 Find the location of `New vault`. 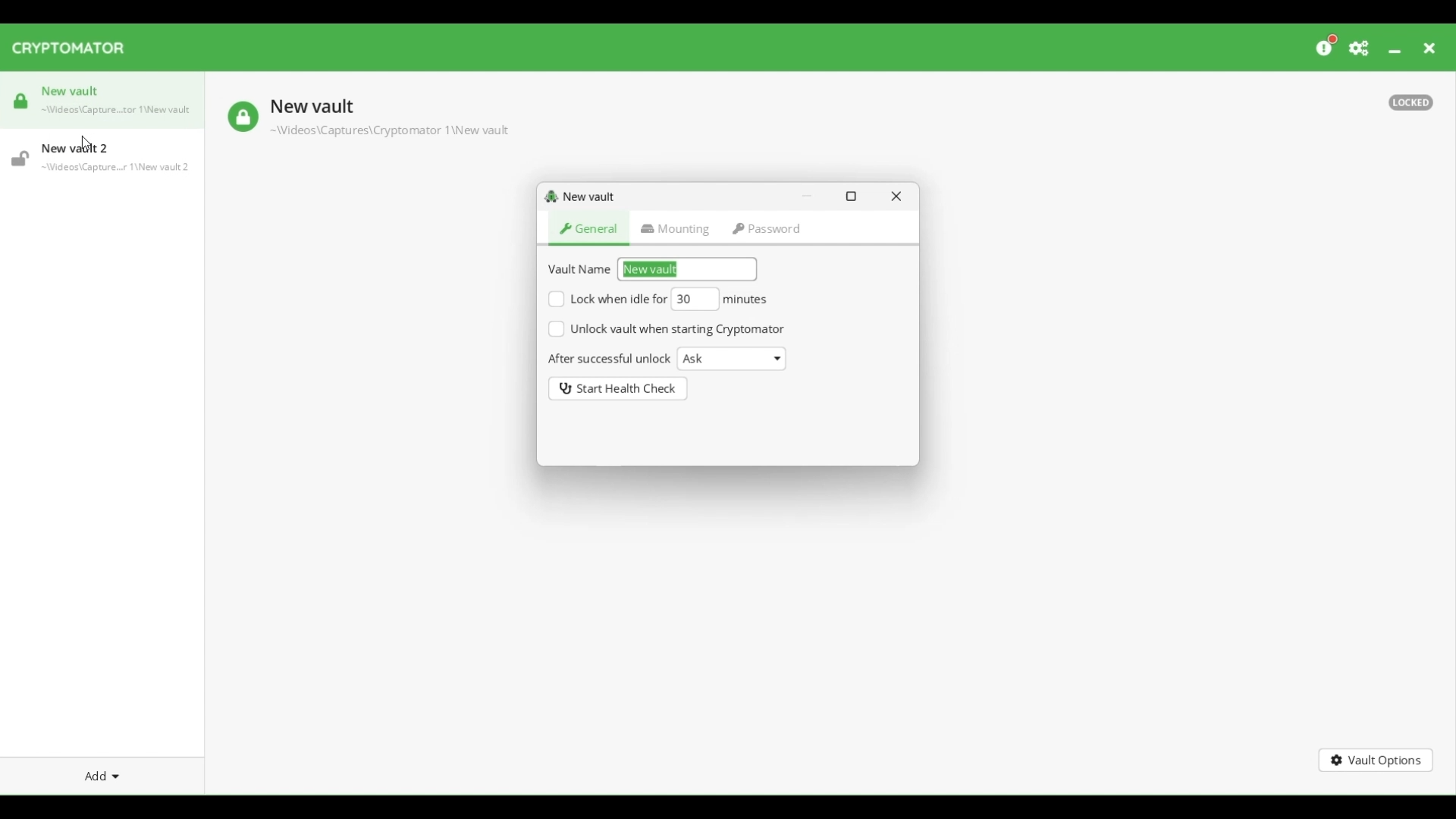

New vault is located at coordinates (585, 199).